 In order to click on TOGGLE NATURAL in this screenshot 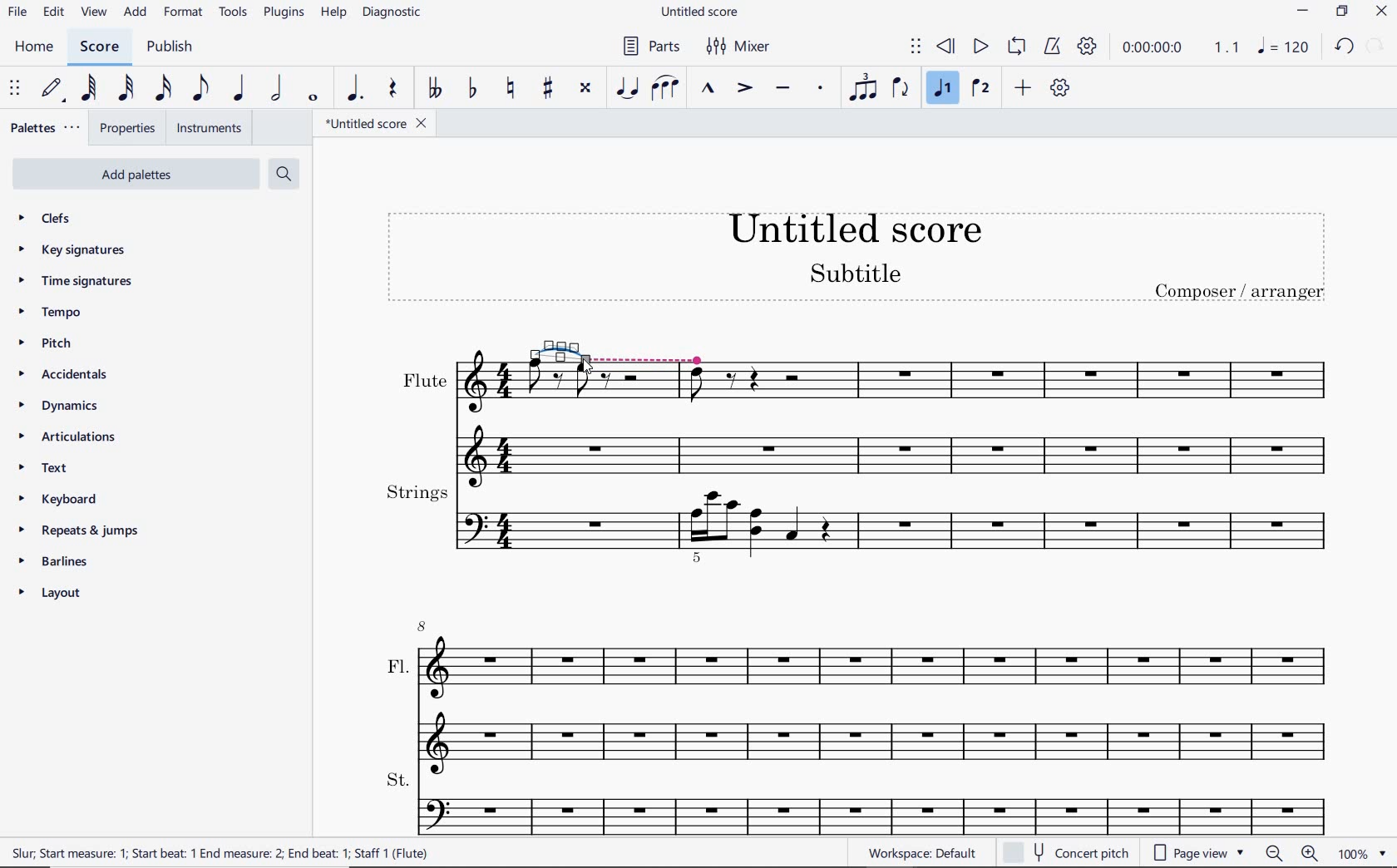, I will do `click(508, 89)`.